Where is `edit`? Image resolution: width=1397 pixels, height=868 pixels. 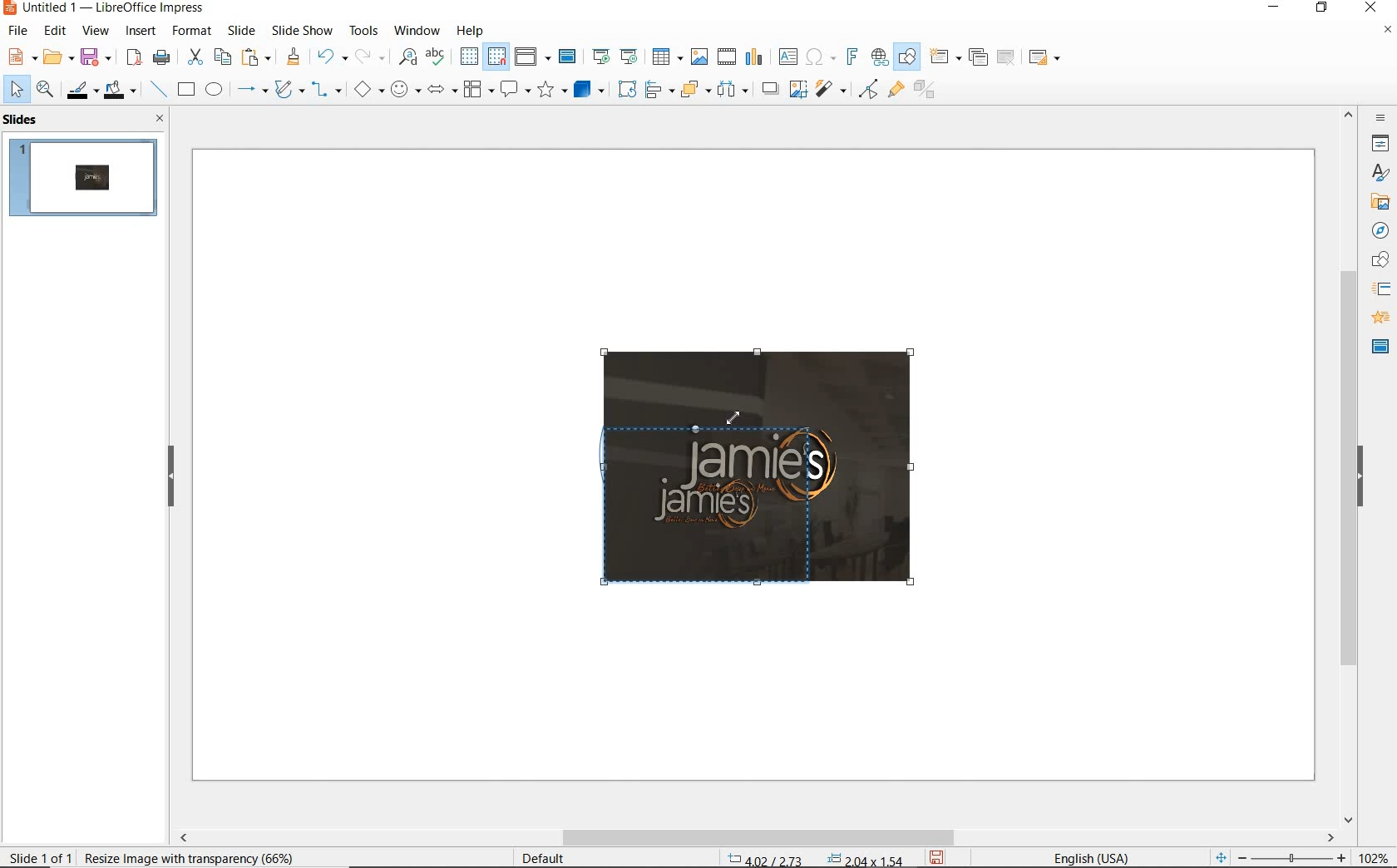
edit is located at coordinates (56, 31).